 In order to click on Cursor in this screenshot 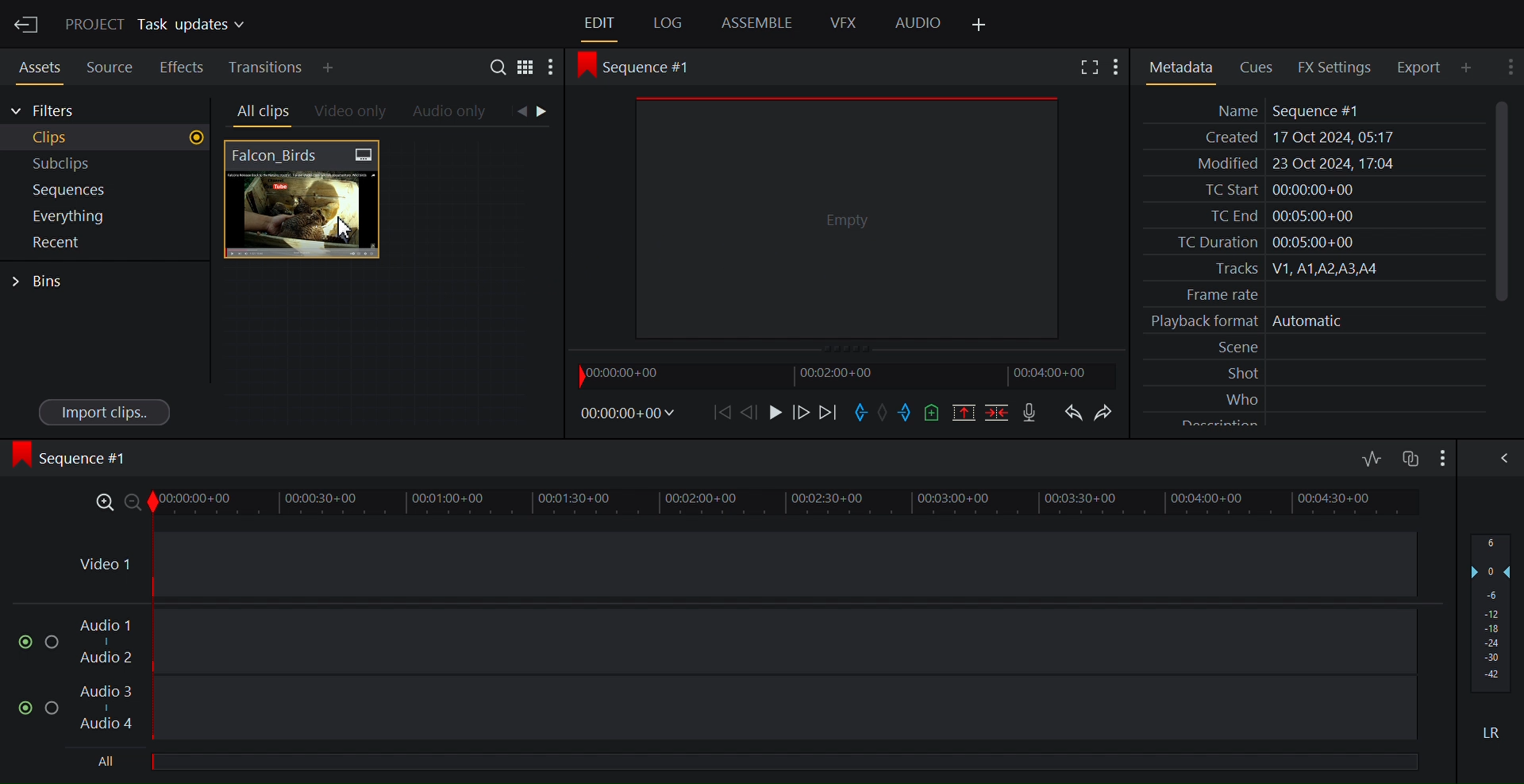, I will do `click(346, 229)`.